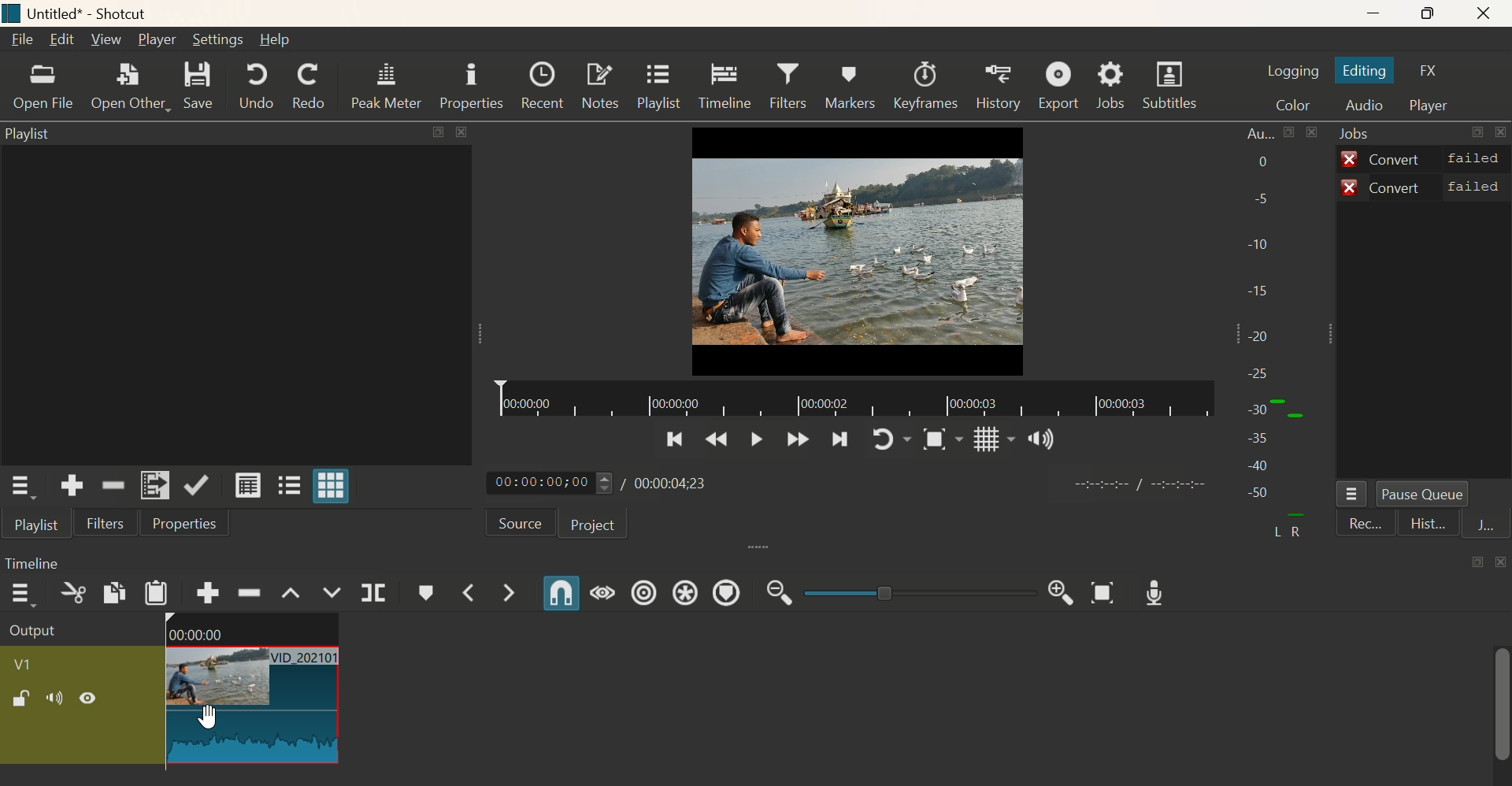 This screenshot has height=786, width=1512. Describe the element at coordinates (510, 595) in the screenshot. I see `` at that location.